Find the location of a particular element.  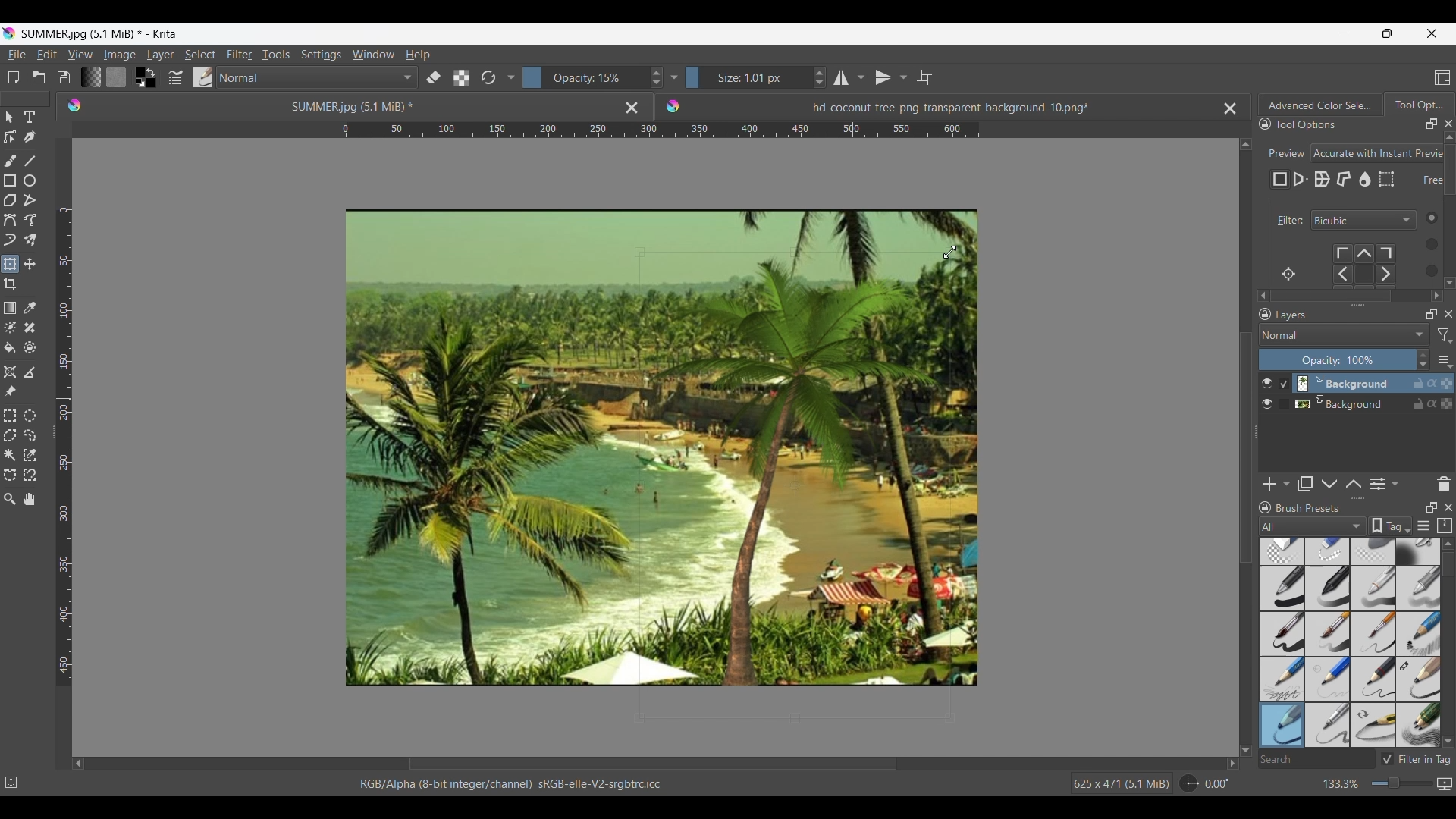

Cursor position unchanged, Shift key selected is located at coordinates (853, 398).